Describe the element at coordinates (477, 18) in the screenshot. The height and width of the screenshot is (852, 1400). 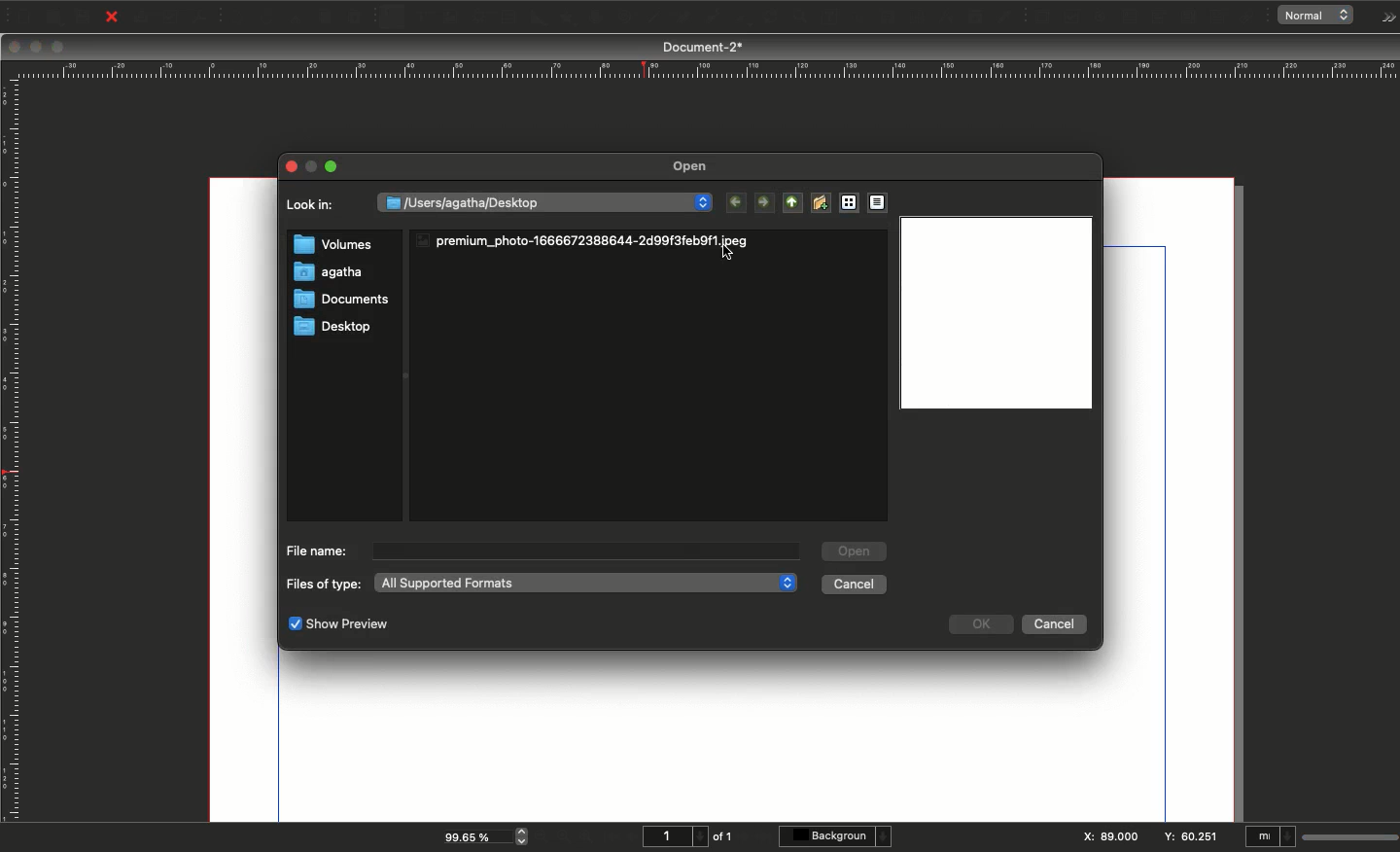
I see `Render frame` at that location.